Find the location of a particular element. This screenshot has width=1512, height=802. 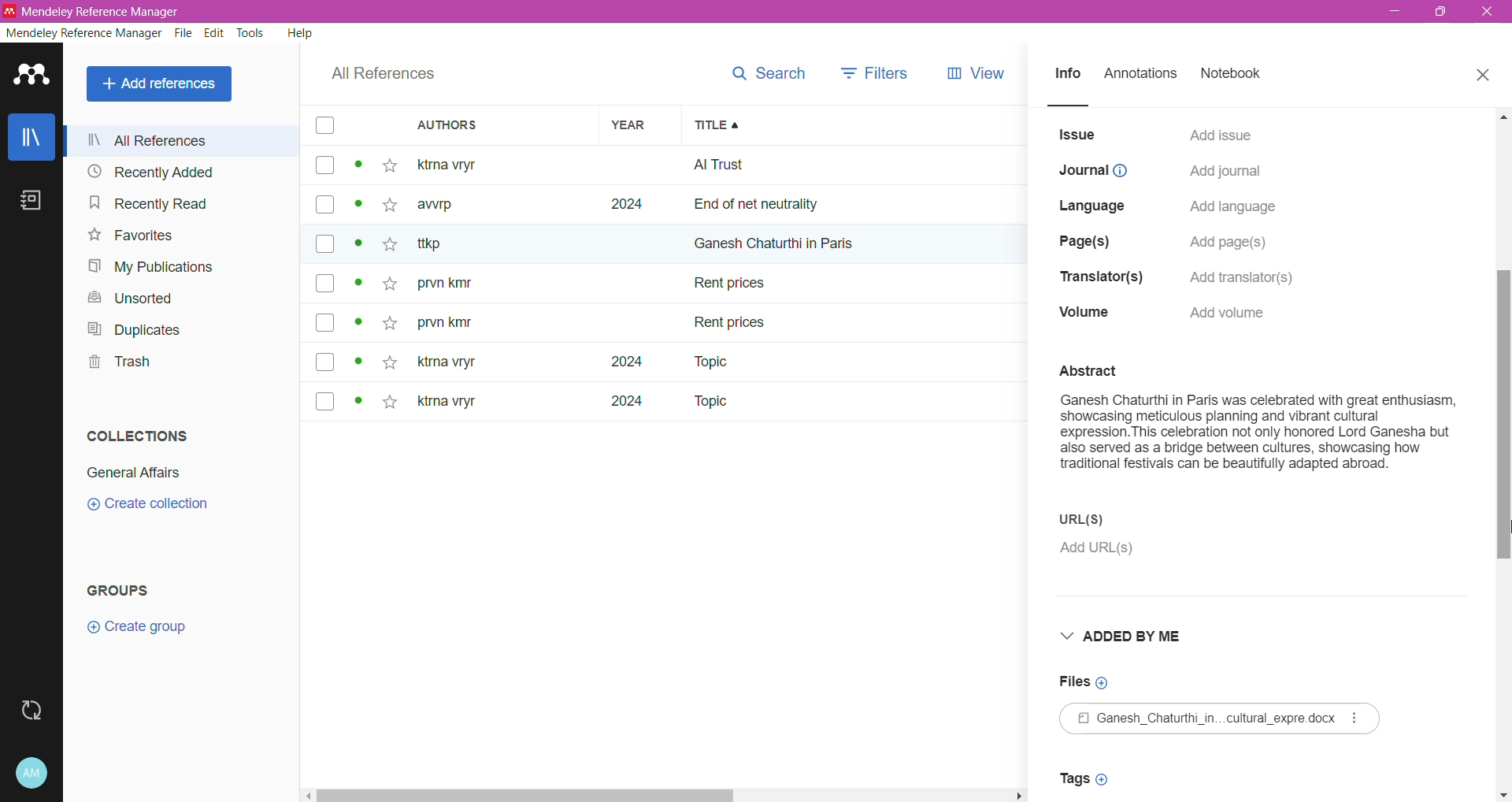

Tools is located at coordinates (251, 34).